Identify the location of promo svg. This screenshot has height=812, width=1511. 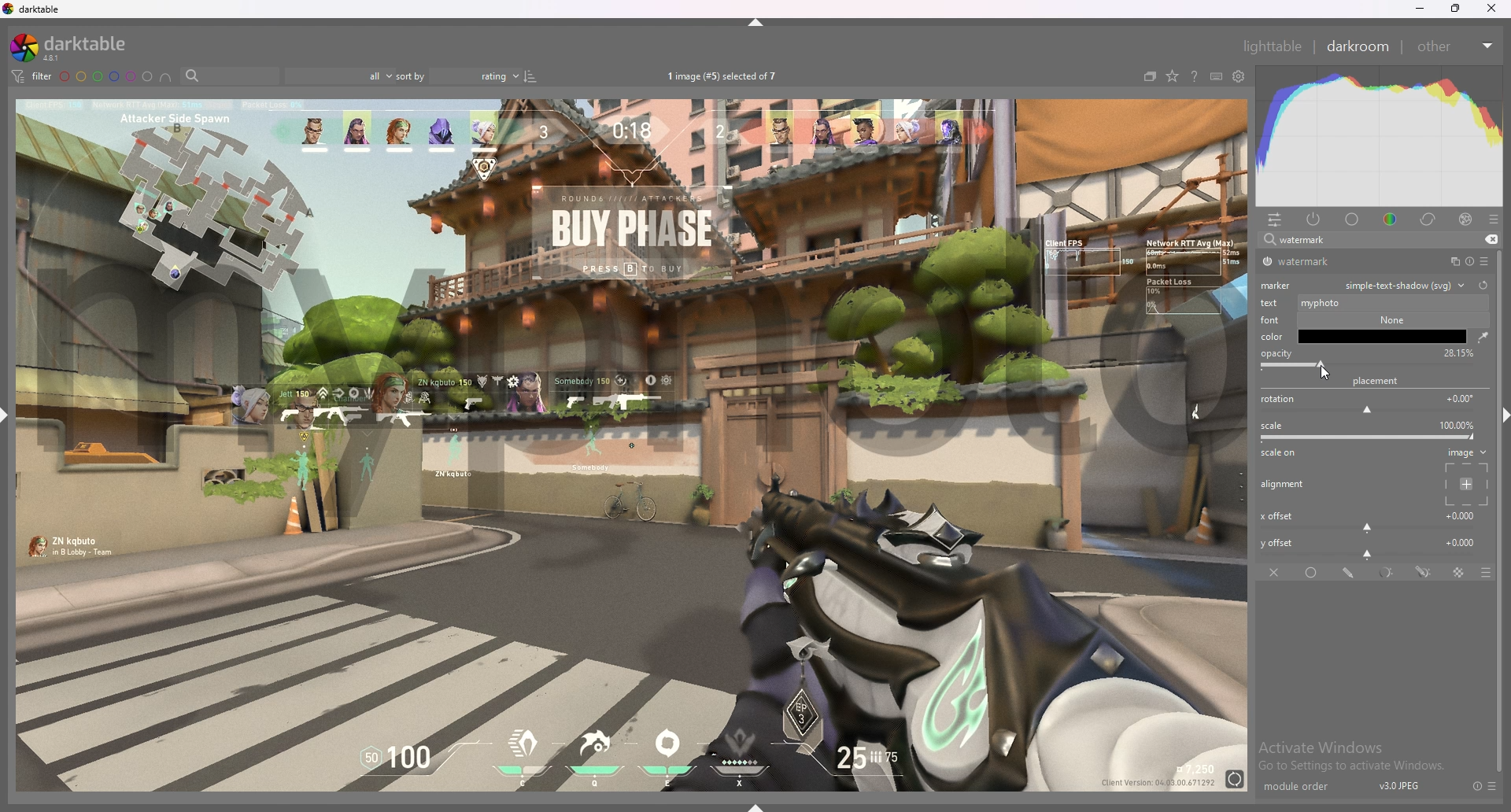
(1387, 340).